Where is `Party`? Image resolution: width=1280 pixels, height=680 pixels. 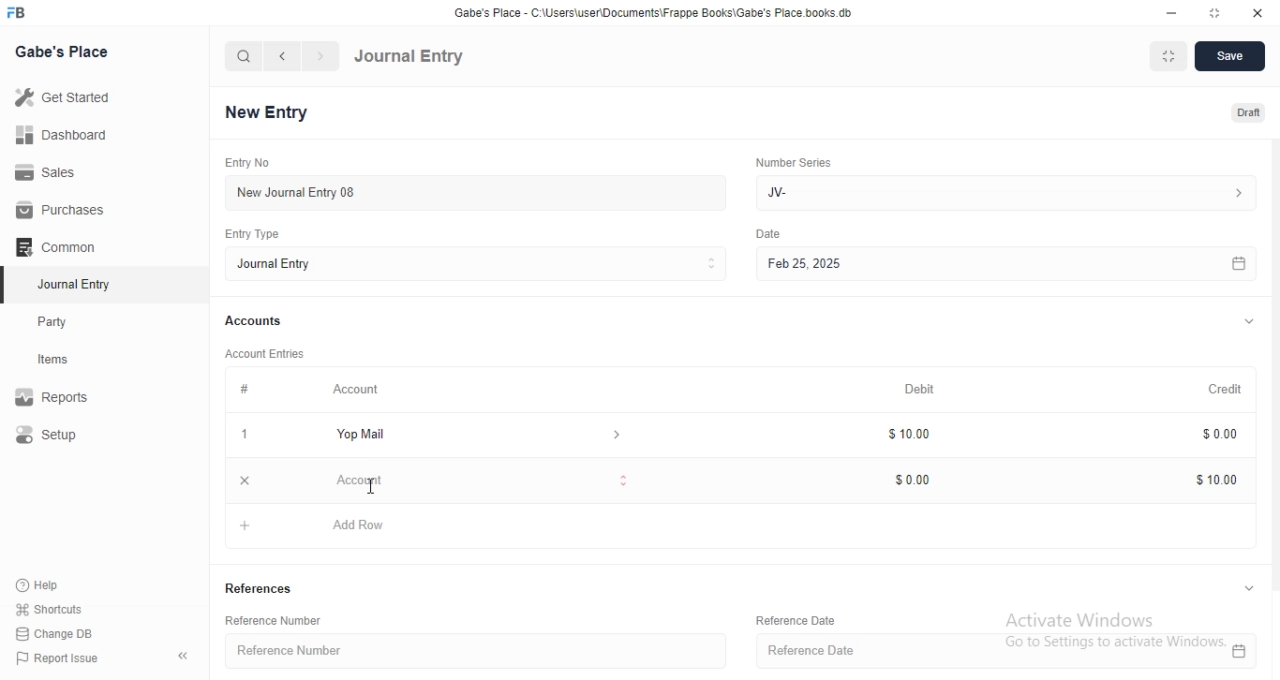 Party is located at coordinates (72, 322).